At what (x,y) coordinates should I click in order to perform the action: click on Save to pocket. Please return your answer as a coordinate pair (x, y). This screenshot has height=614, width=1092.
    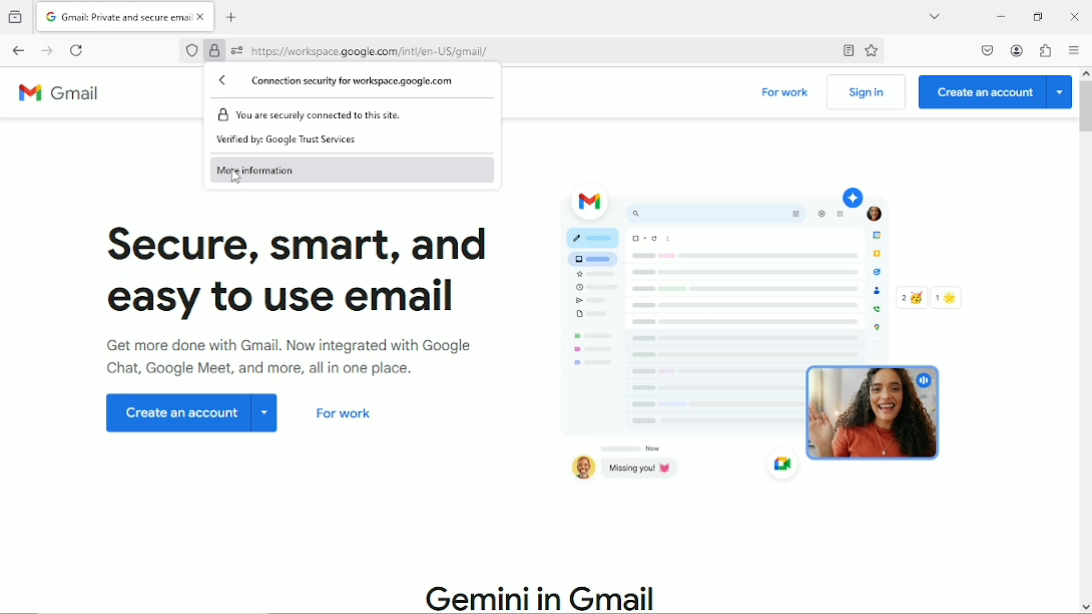
    Looking at the image, I should click on (986, 50).